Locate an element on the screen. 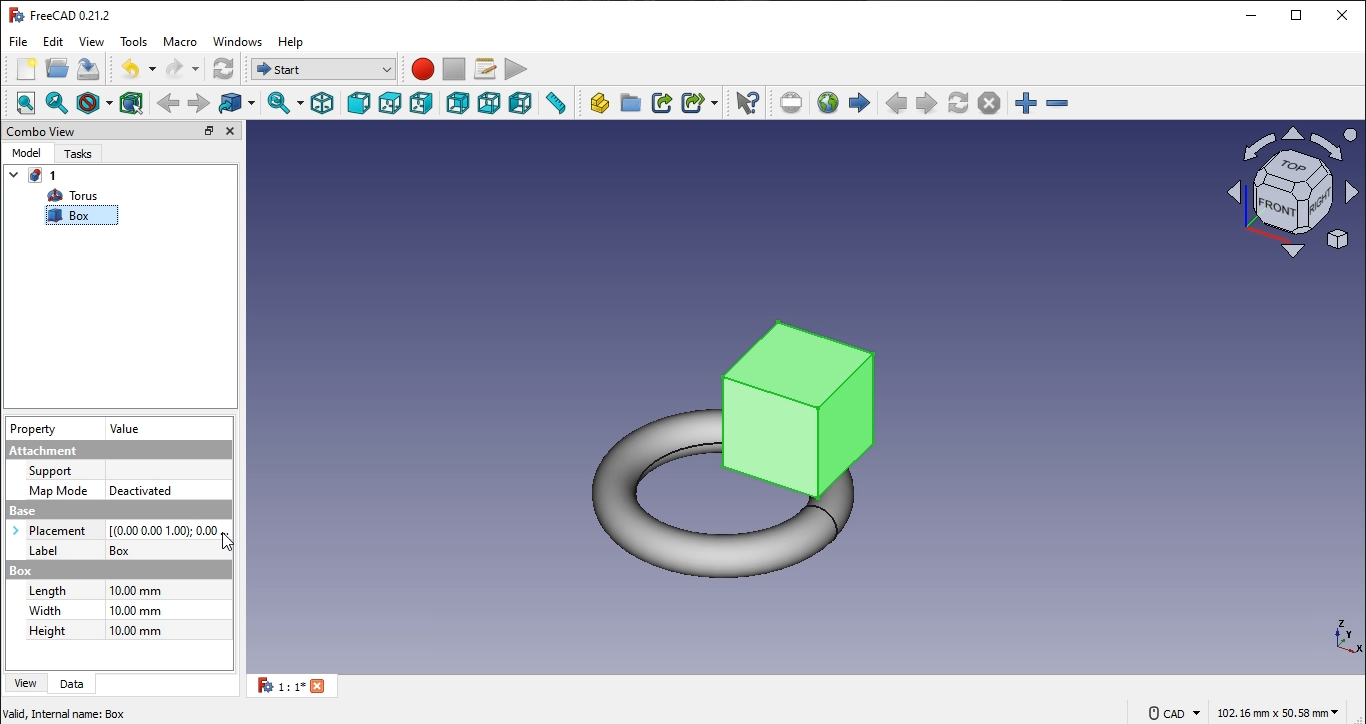  make link is located at coordinates (661, 102).